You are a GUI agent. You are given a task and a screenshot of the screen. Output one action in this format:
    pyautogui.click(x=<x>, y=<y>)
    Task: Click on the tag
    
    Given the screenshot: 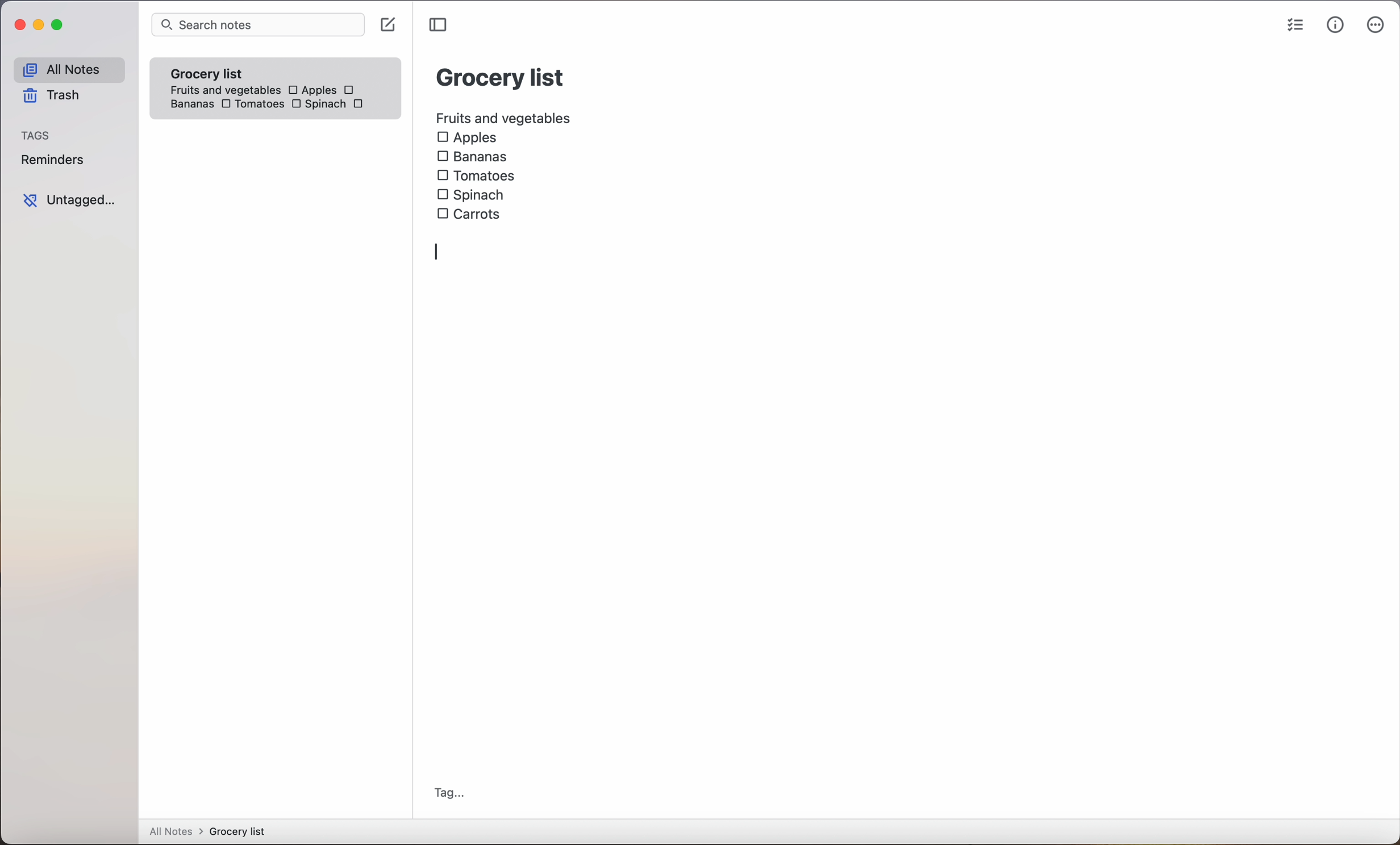 What is the action you would take?
    pyautogui.click(x=449, y=793)
    